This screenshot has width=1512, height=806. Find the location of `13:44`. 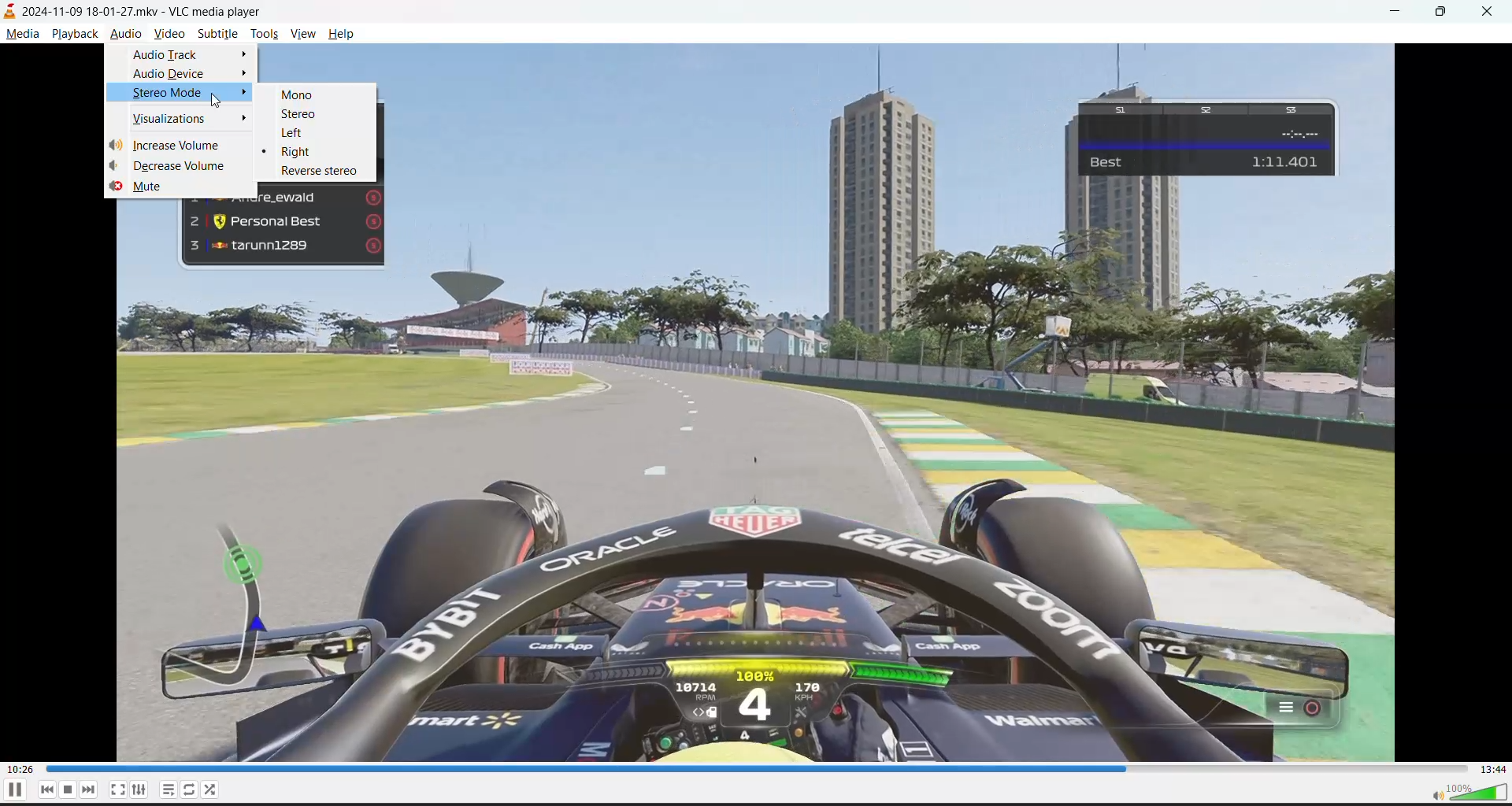

13:44 is located at coordinates (1492, 769).